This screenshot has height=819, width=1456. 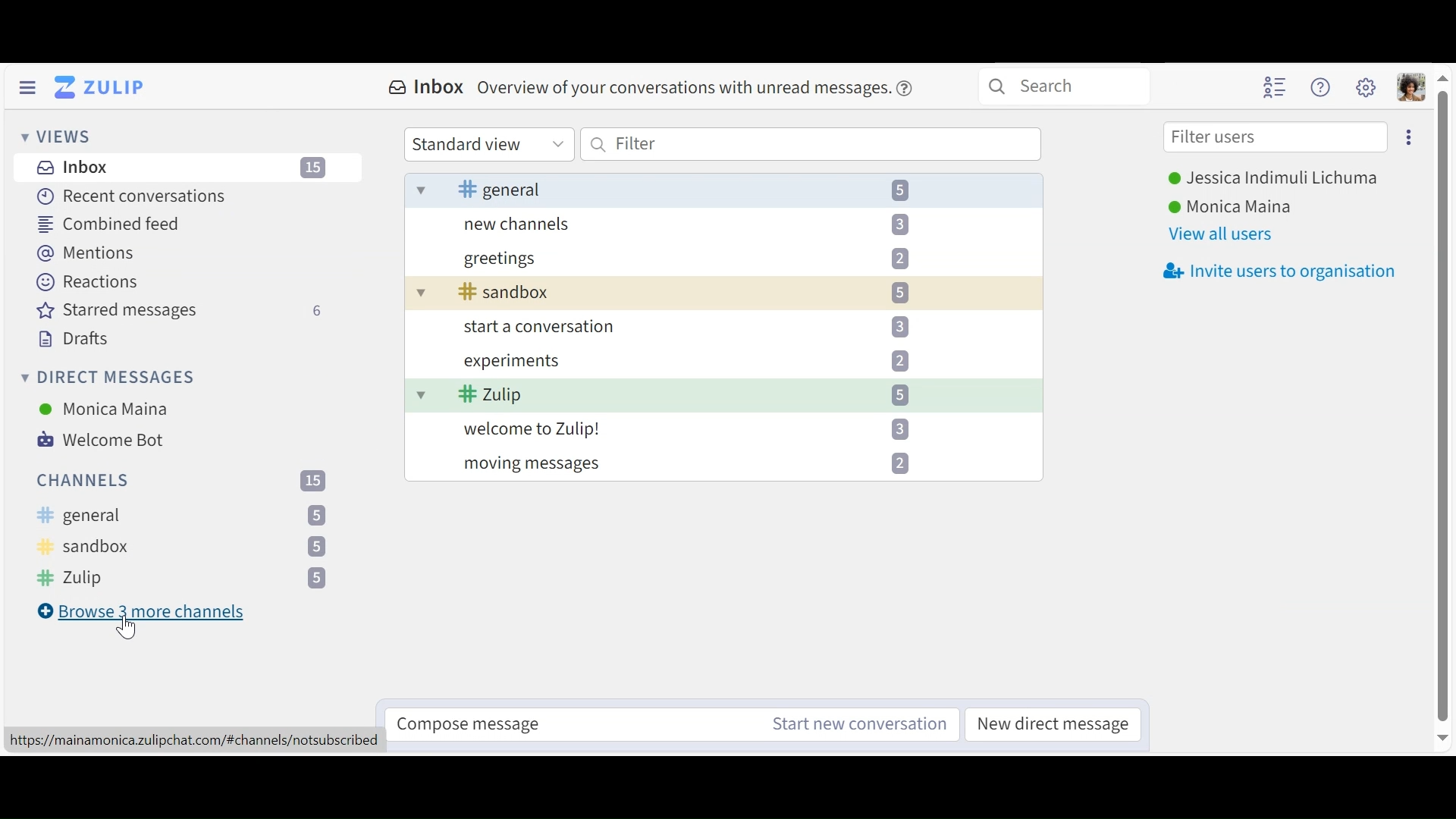 What do you see at coordinates (1408, 136) in the screenshot?
I see `Eclipse` at bounding box center [1408, 136].